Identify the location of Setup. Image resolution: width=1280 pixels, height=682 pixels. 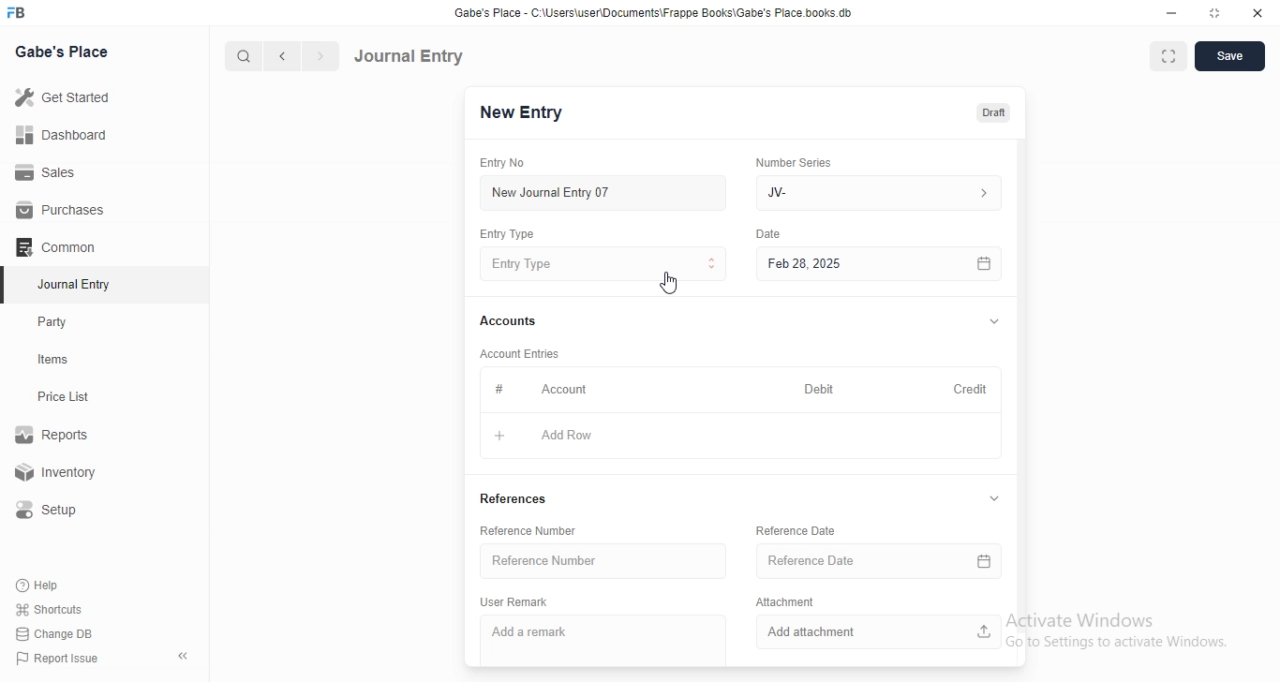
(54, 510).